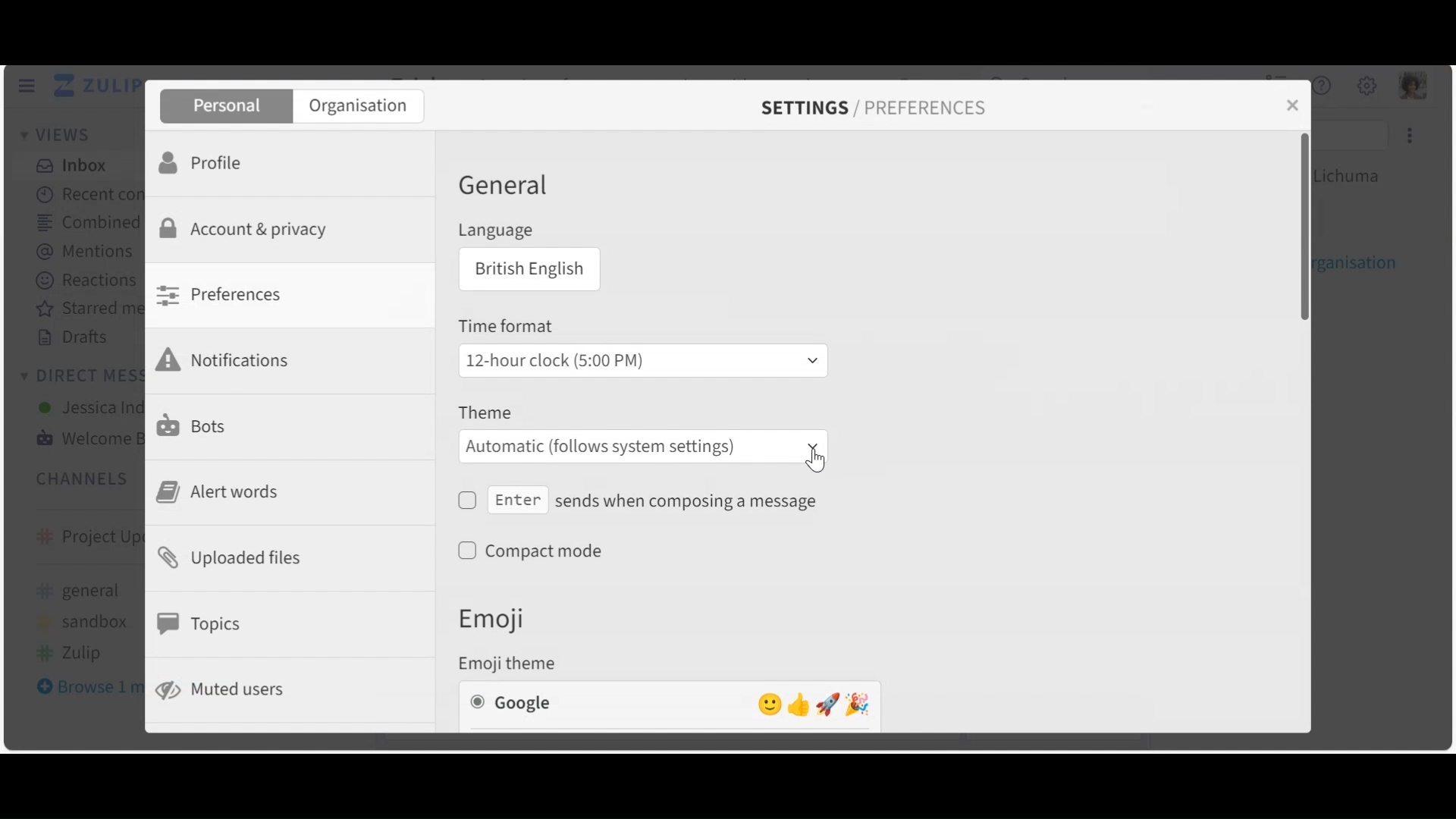  What do you see at coordinates (640, 501) in the screenshot?
I see `(un)select Enter sends when composing a mesage` at bounding box center [640, 501].